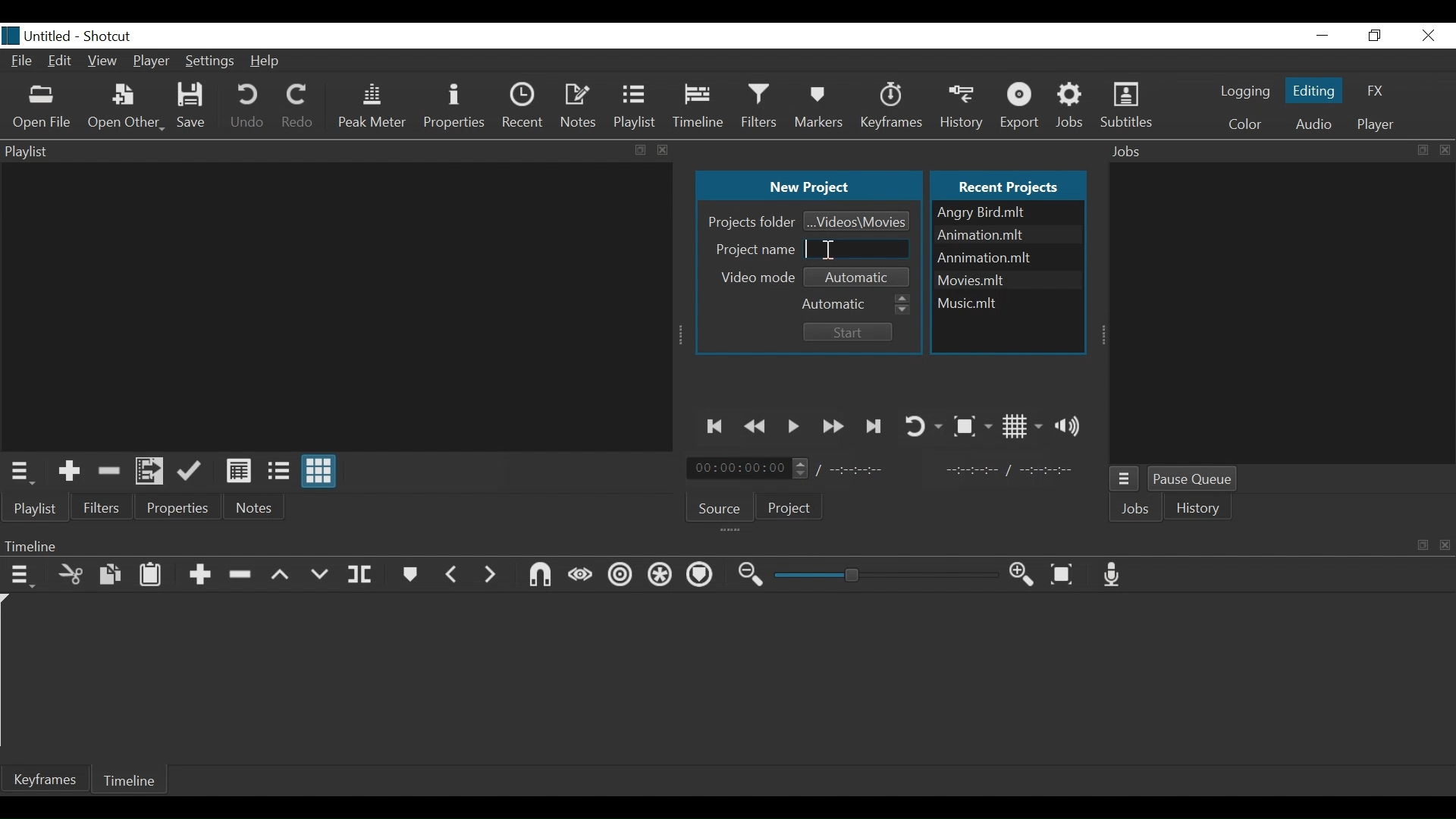 Image resolution: width=1456 pixels, height=819 pixels. Describe the element at coordinates (717, 426) in the screenshot. I see `Skip to the previous point` at that location.